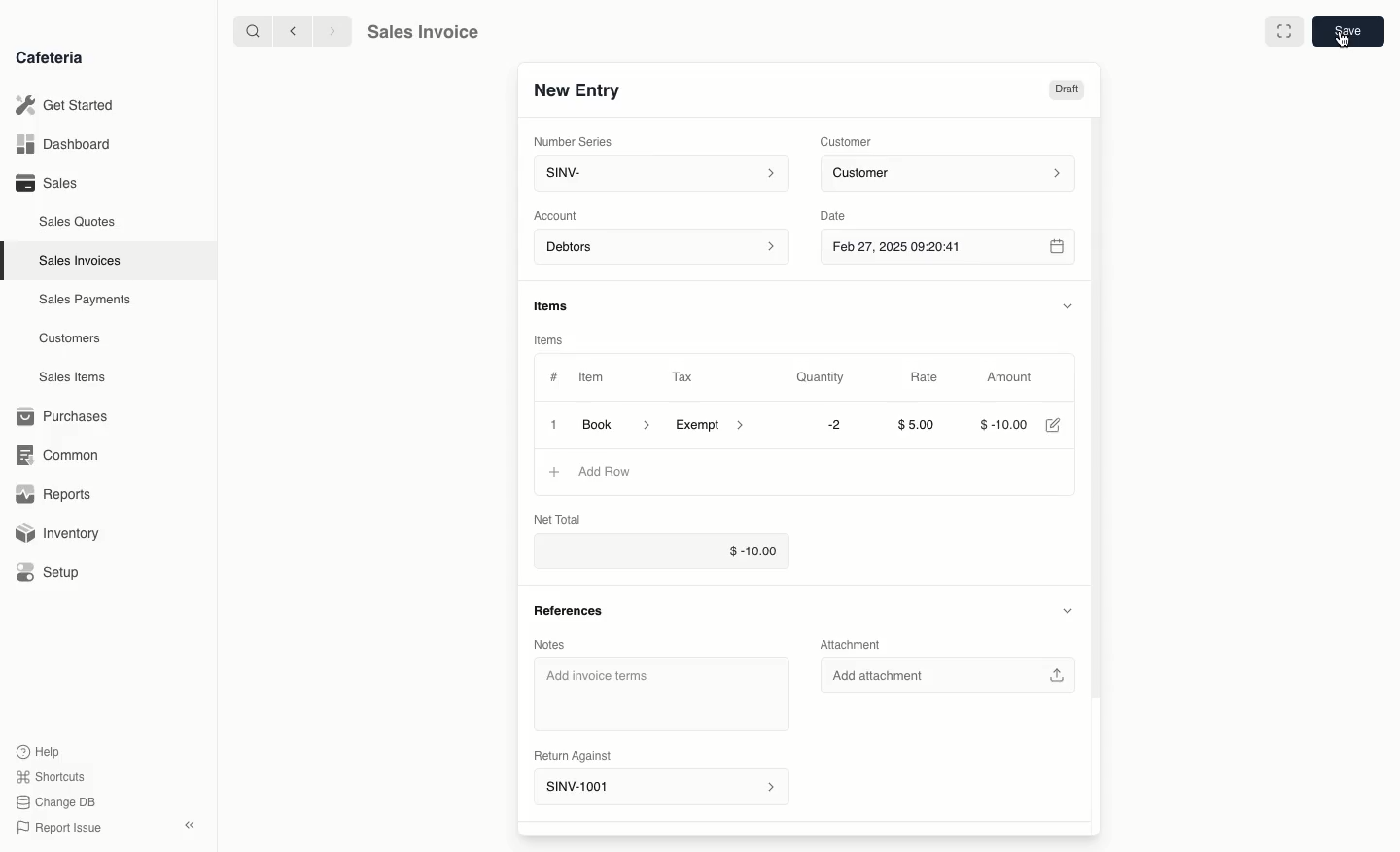  Describe the element at coordinates (550, 472) in the screenshot. I see `Add` at that location.